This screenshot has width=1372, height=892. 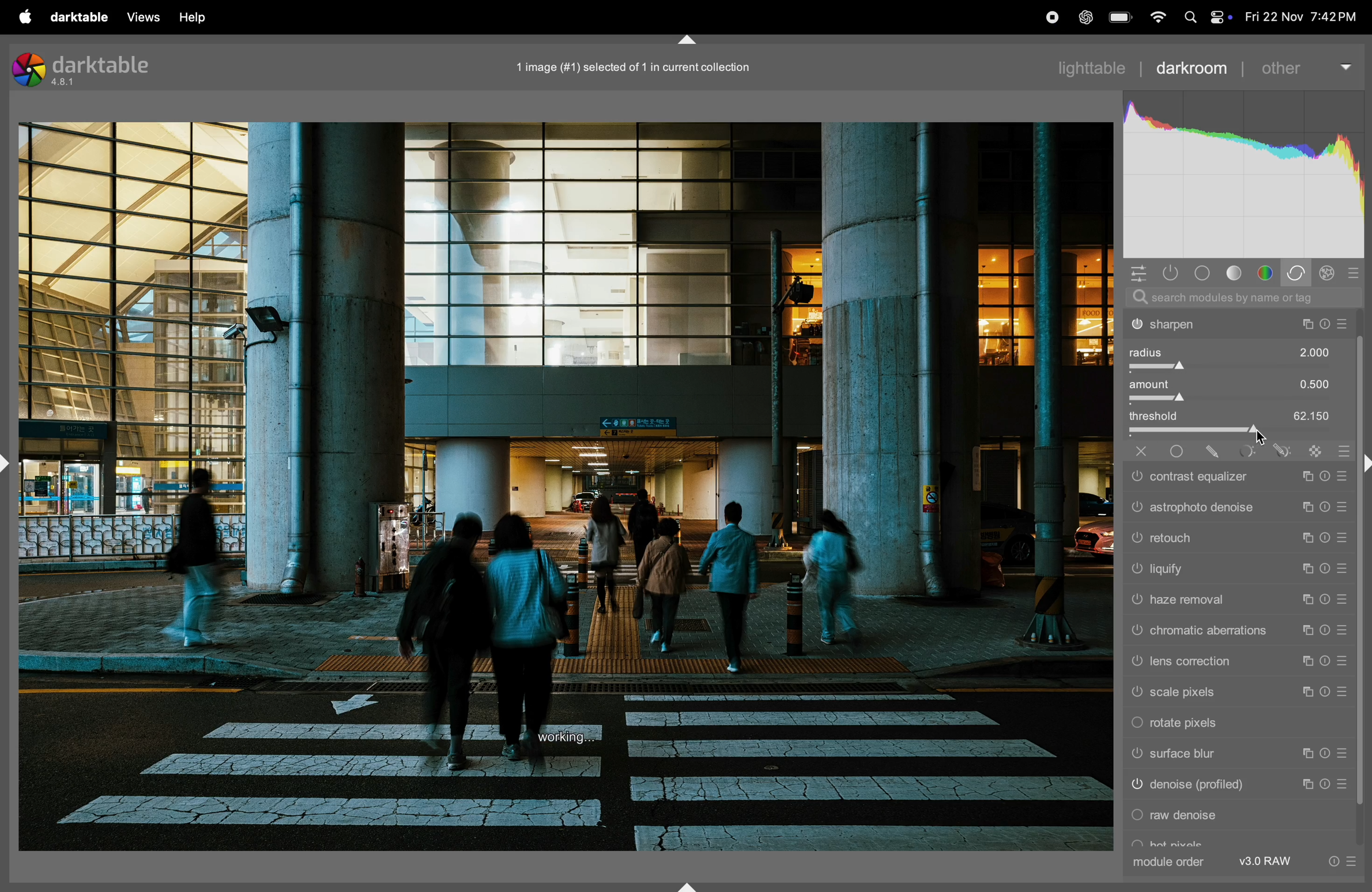 What do you see at coordinates (1232, 756) in the screenshot?
I see `surface blur` at bounding box center [1232, 756].